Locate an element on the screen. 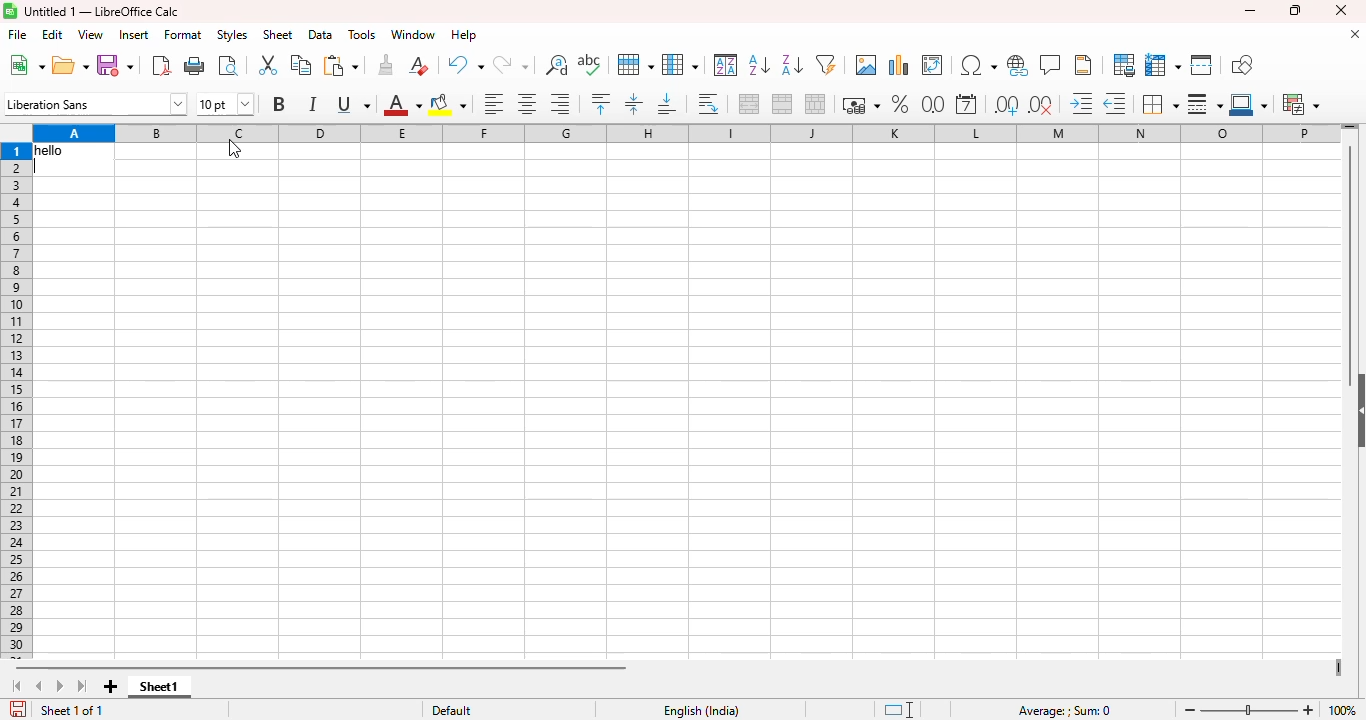  conditional is located at coordinates (1301, 105).